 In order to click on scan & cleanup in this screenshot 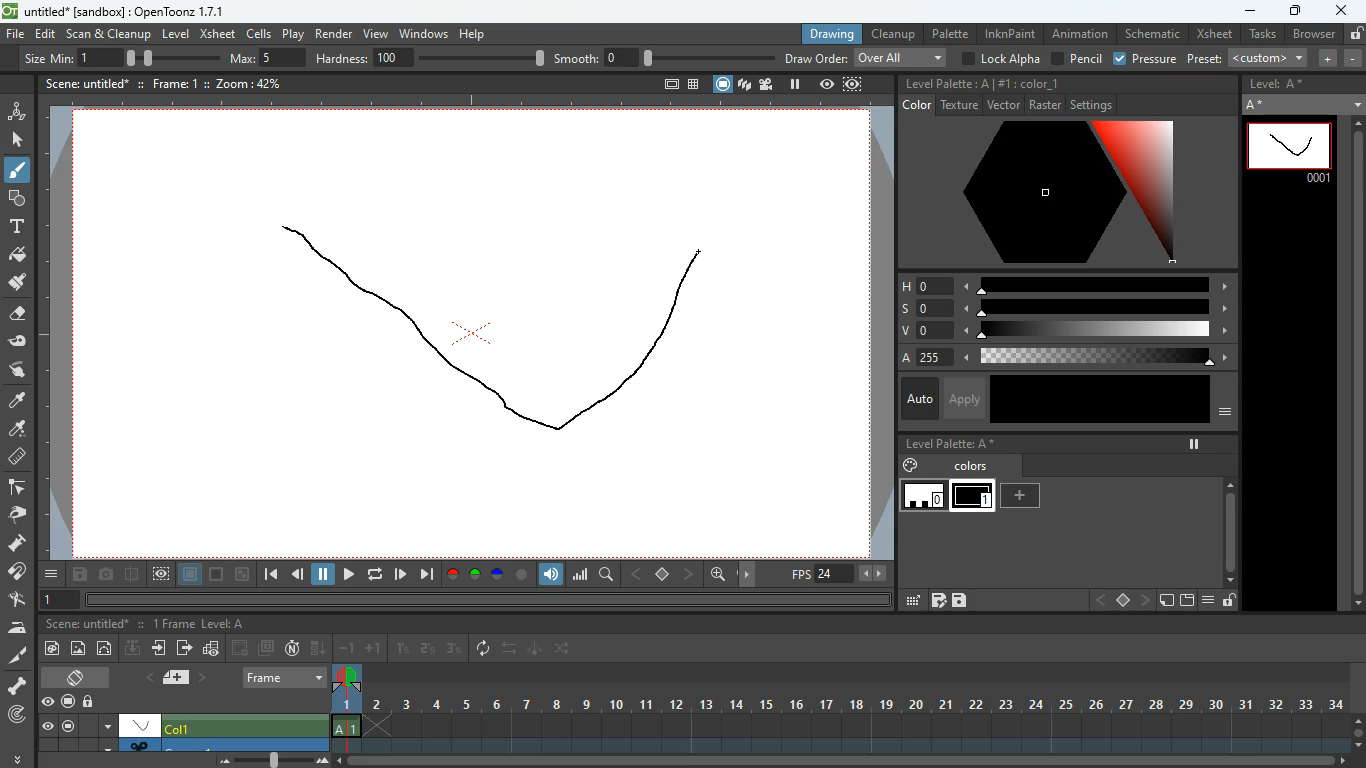, I will do `click(109, 35)`.